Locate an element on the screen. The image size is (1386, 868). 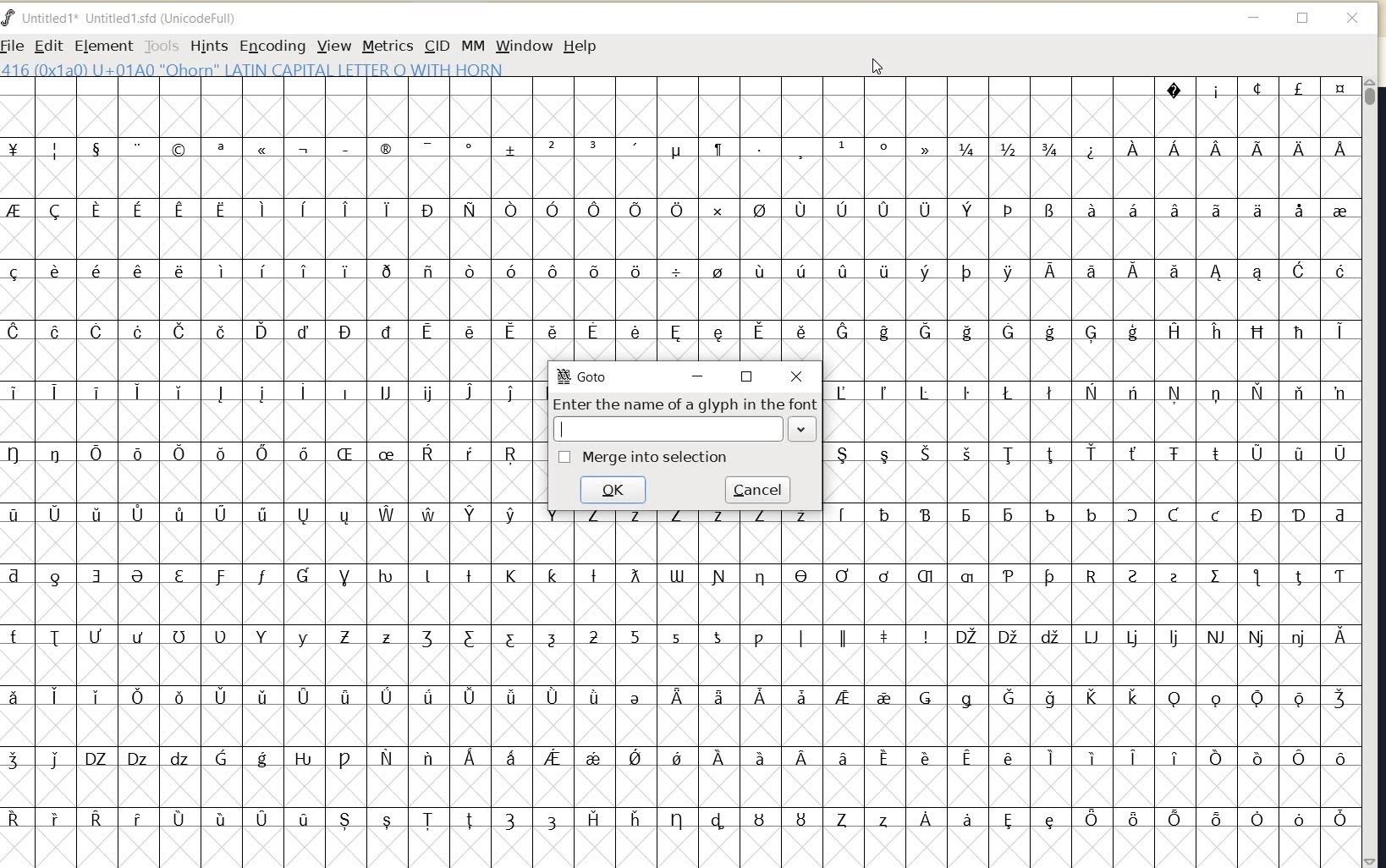
METRICS is located at coordinates (386, 47).